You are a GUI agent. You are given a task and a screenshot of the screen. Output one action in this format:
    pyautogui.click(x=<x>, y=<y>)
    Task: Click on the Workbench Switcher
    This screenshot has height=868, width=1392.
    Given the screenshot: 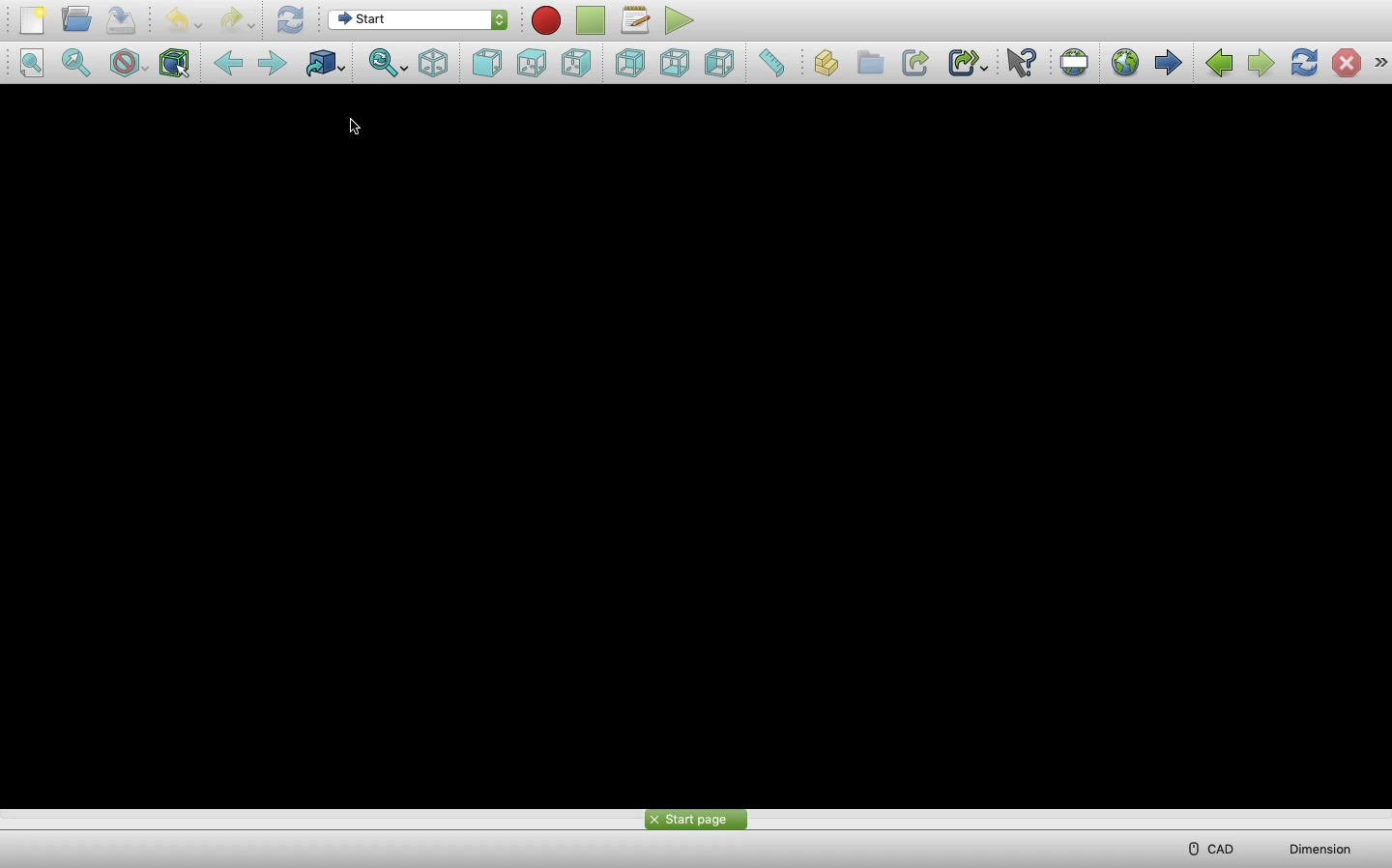 What is the action you would take?
    pyautogui.click(x=326, y=64)
    